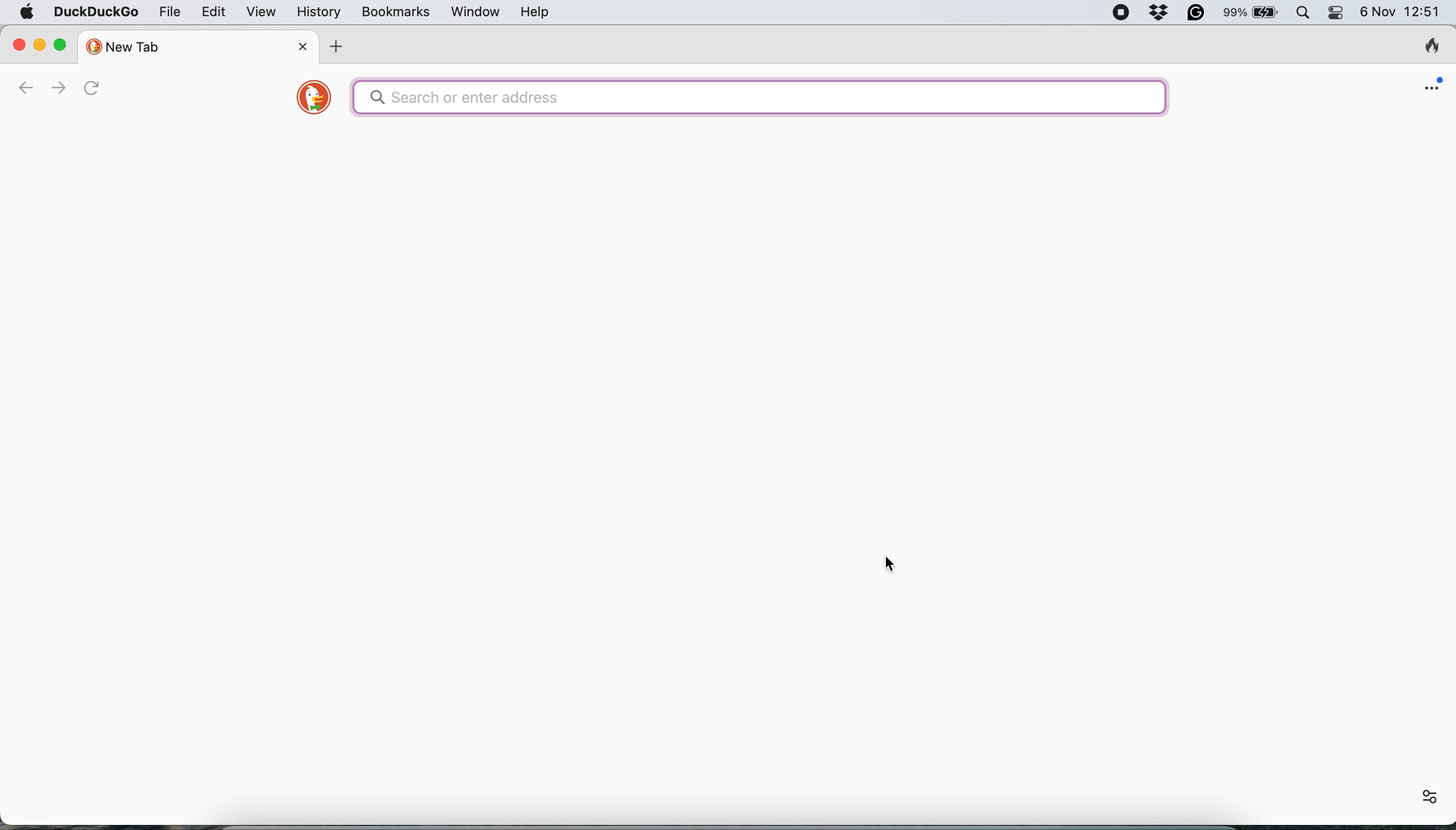 The height and width of the screenshot is (830, 1456). Describe the element at coordinates (1426, 45) in the screenshot. I see `clear browsing history` at that location.